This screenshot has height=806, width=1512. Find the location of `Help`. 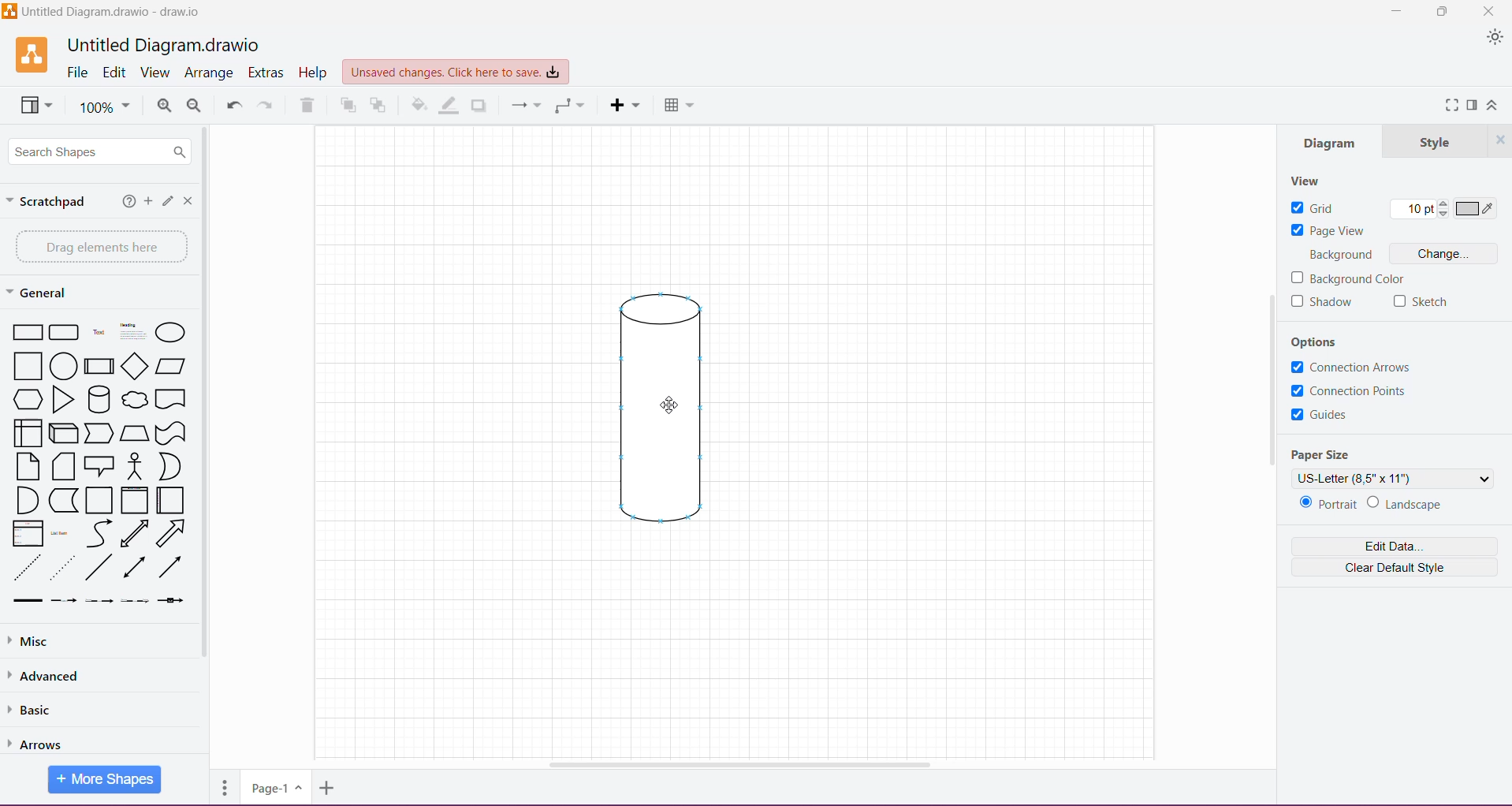

Help is located at coordinates (125, 203).